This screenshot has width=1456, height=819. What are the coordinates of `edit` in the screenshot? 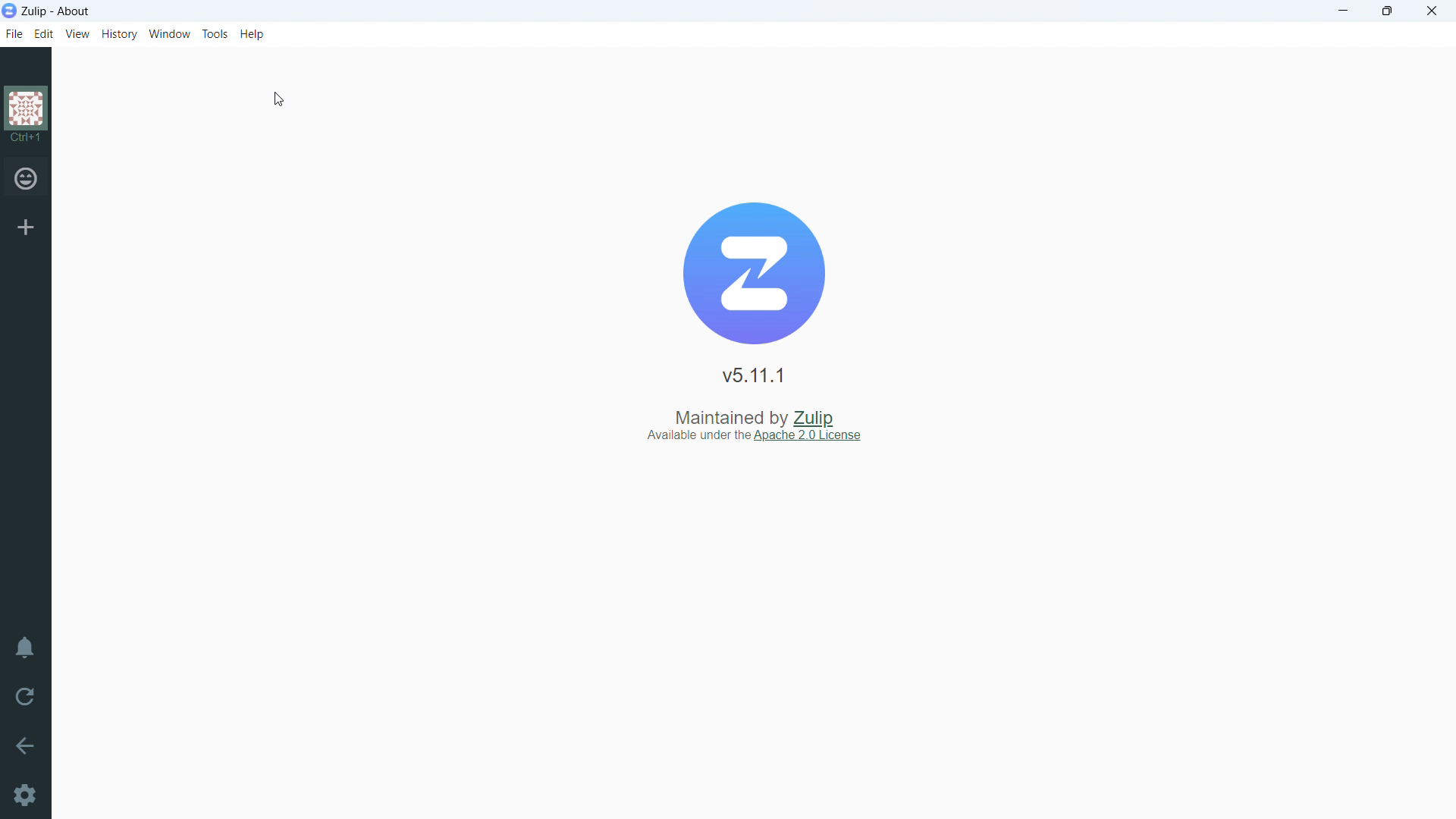 It's located at (45, 34).